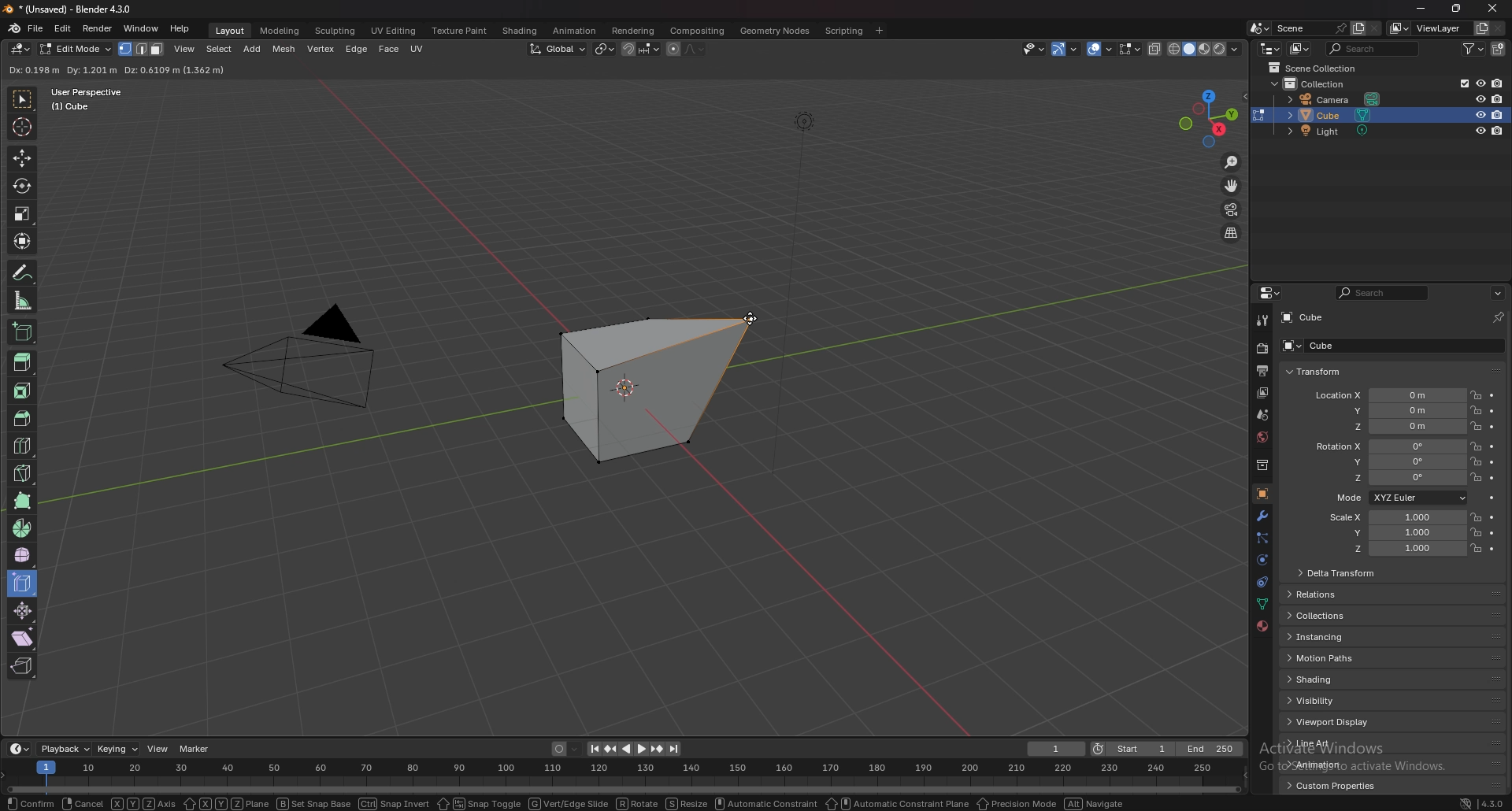  I want to click on exclude from viewlayer, so click(1459, 83).